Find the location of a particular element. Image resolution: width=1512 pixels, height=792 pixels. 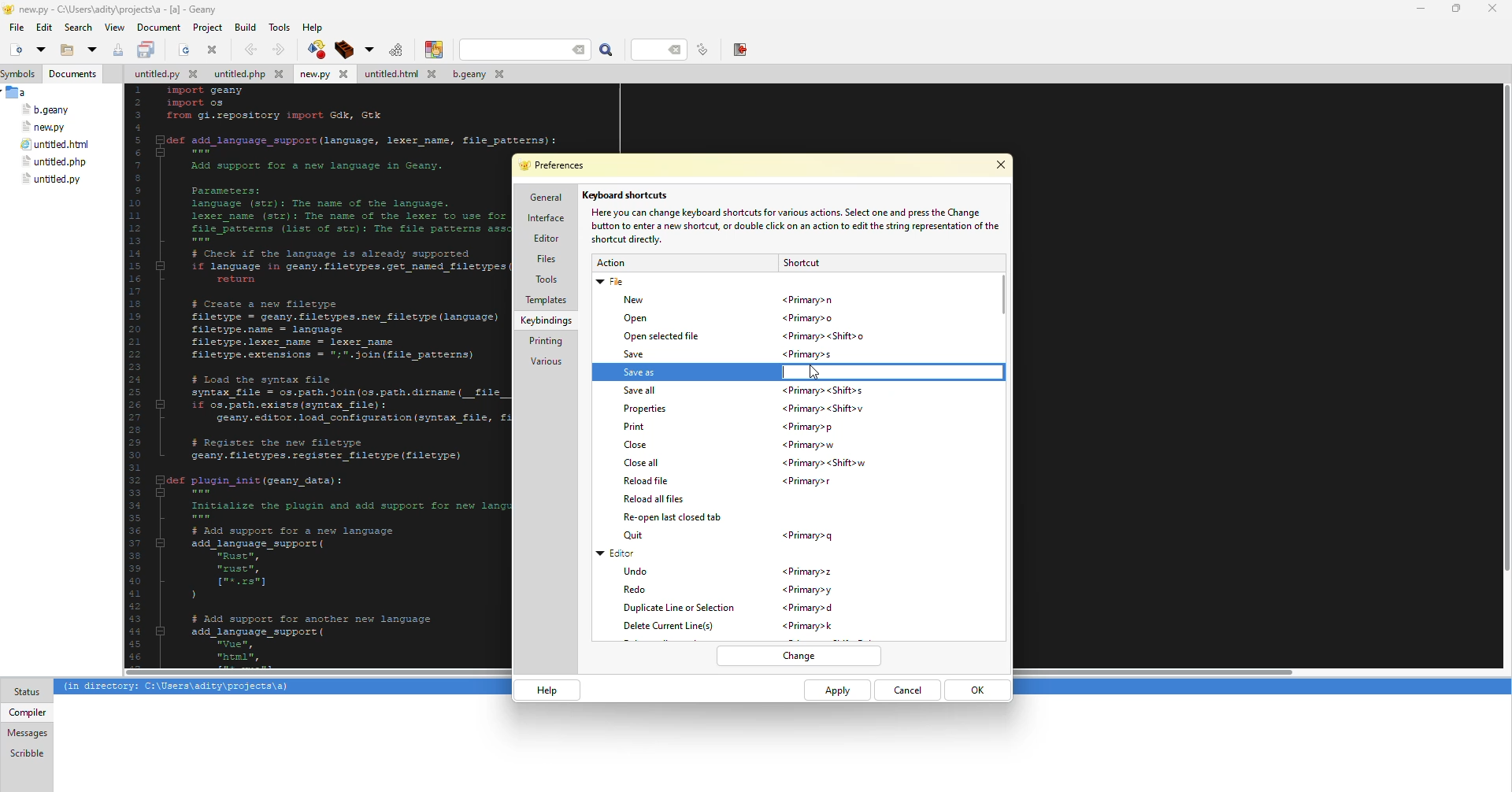

close all is located at coordinates (640, 464).